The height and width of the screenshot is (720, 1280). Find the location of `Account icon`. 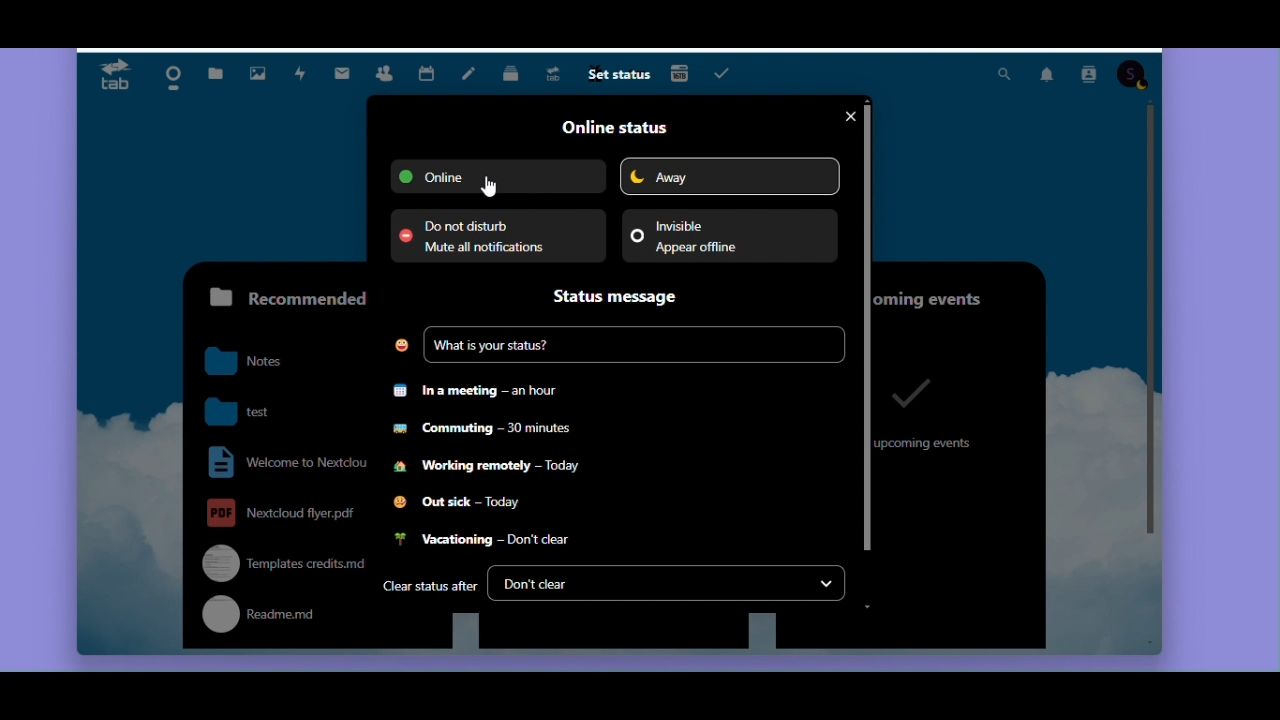

Account icon is located at coordinates (1133, 76).